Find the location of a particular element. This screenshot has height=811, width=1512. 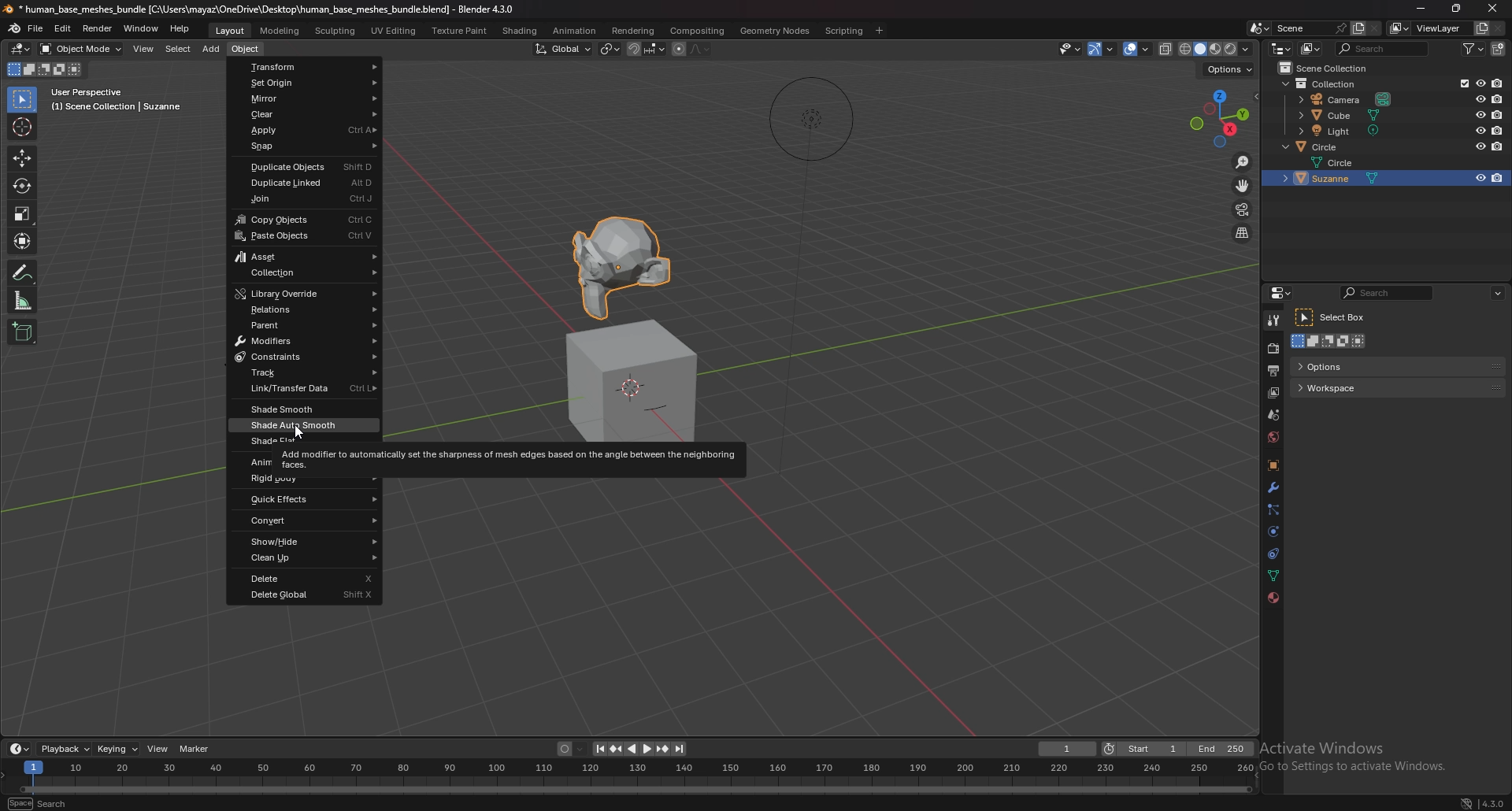

mode is located at coordinates (47, 69).